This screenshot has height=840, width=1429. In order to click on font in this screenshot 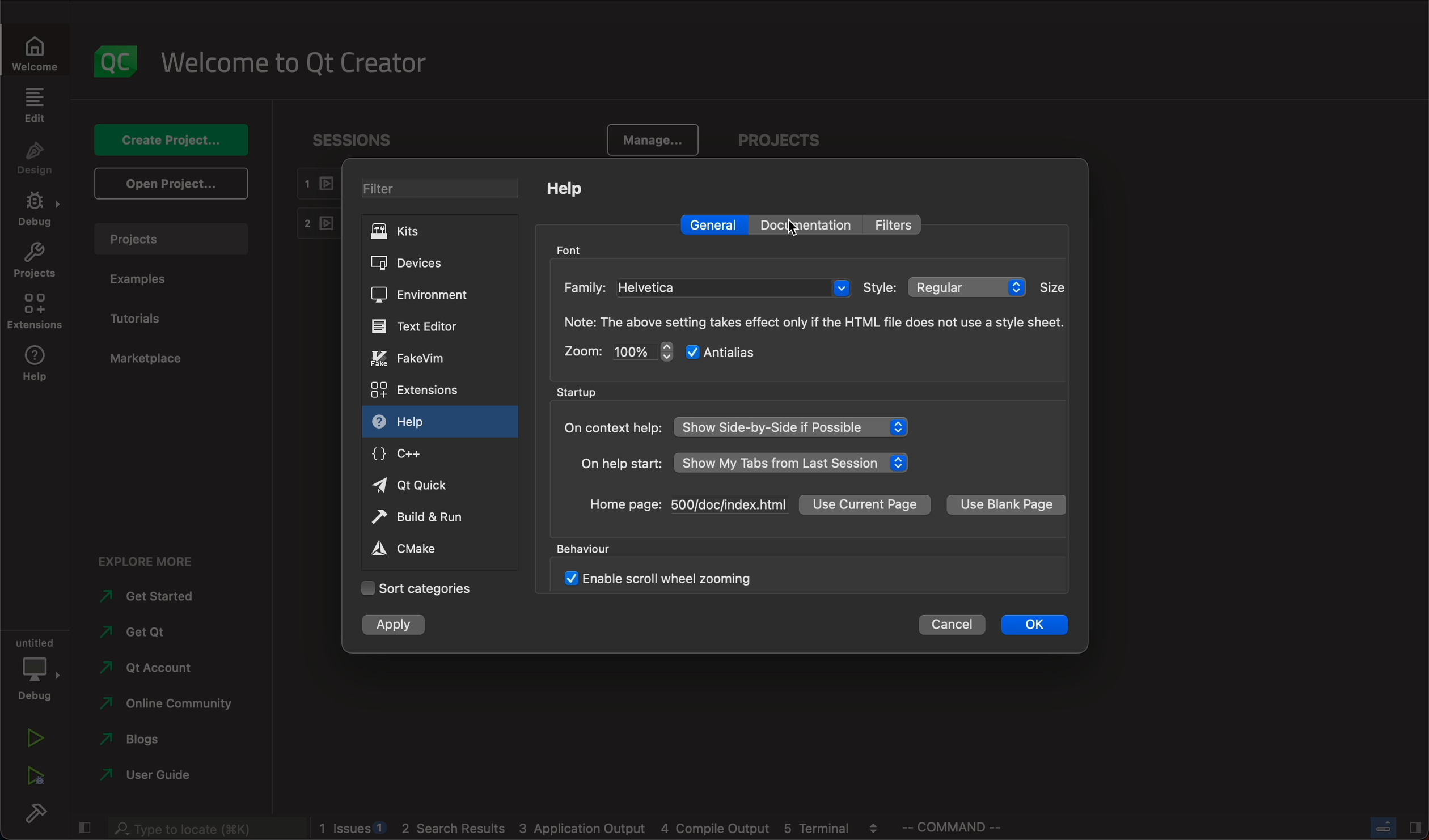, I will do `click(572, 247)`.